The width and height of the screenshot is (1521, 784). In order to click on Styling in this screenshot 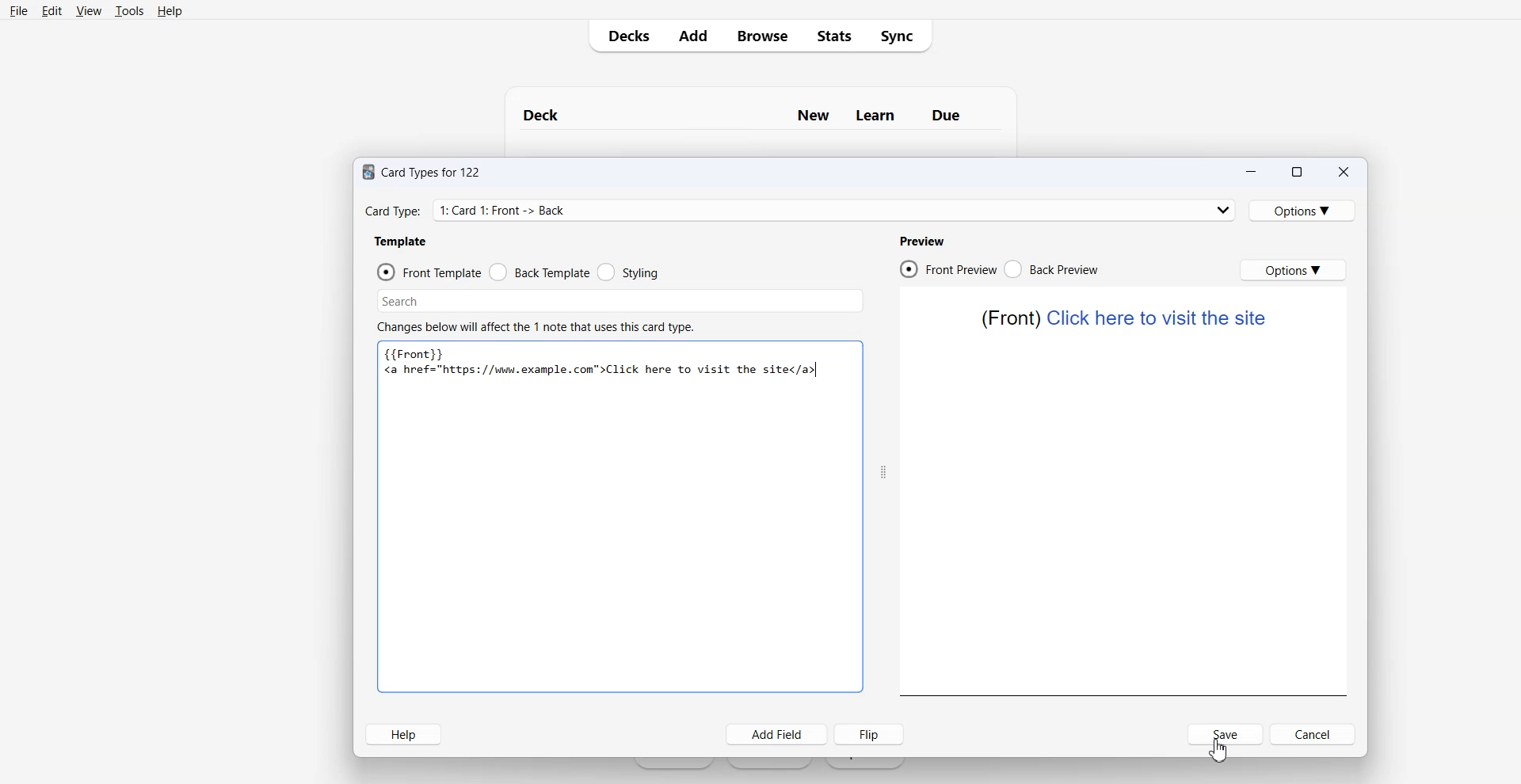, I will do `click(630, 272)`.